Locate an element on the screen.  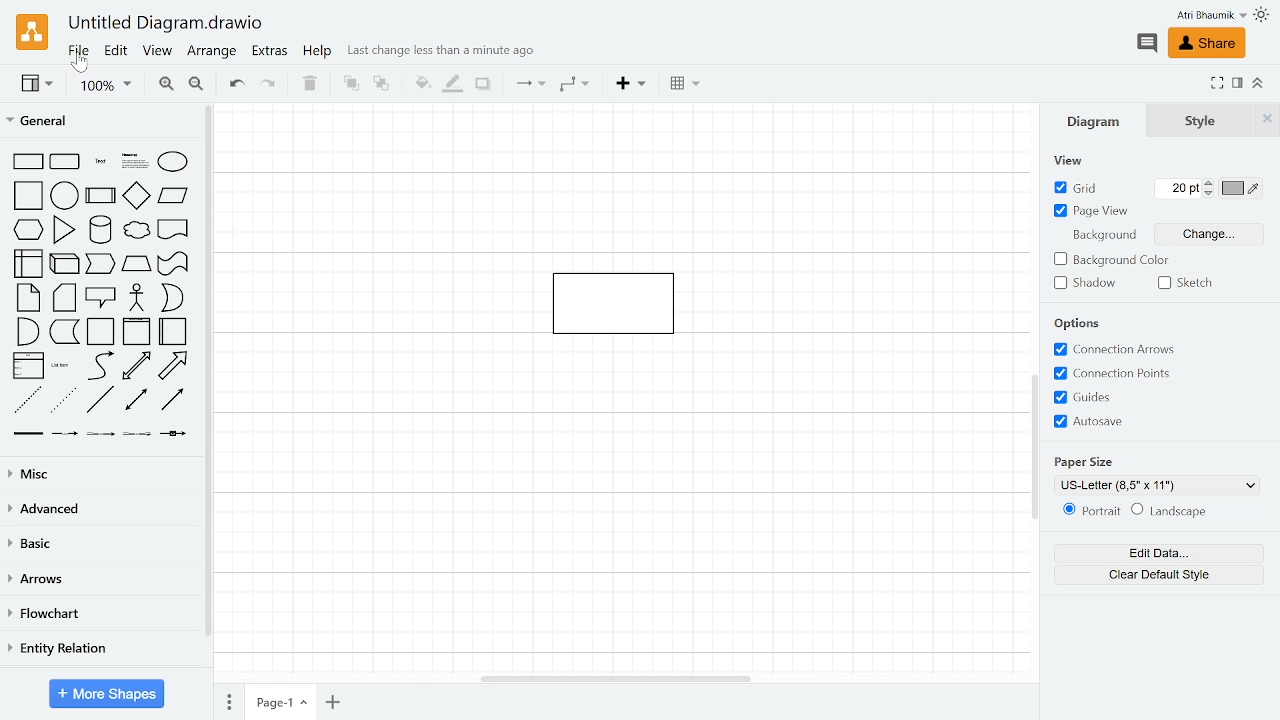
Style is located at coordinates (1192, 120).